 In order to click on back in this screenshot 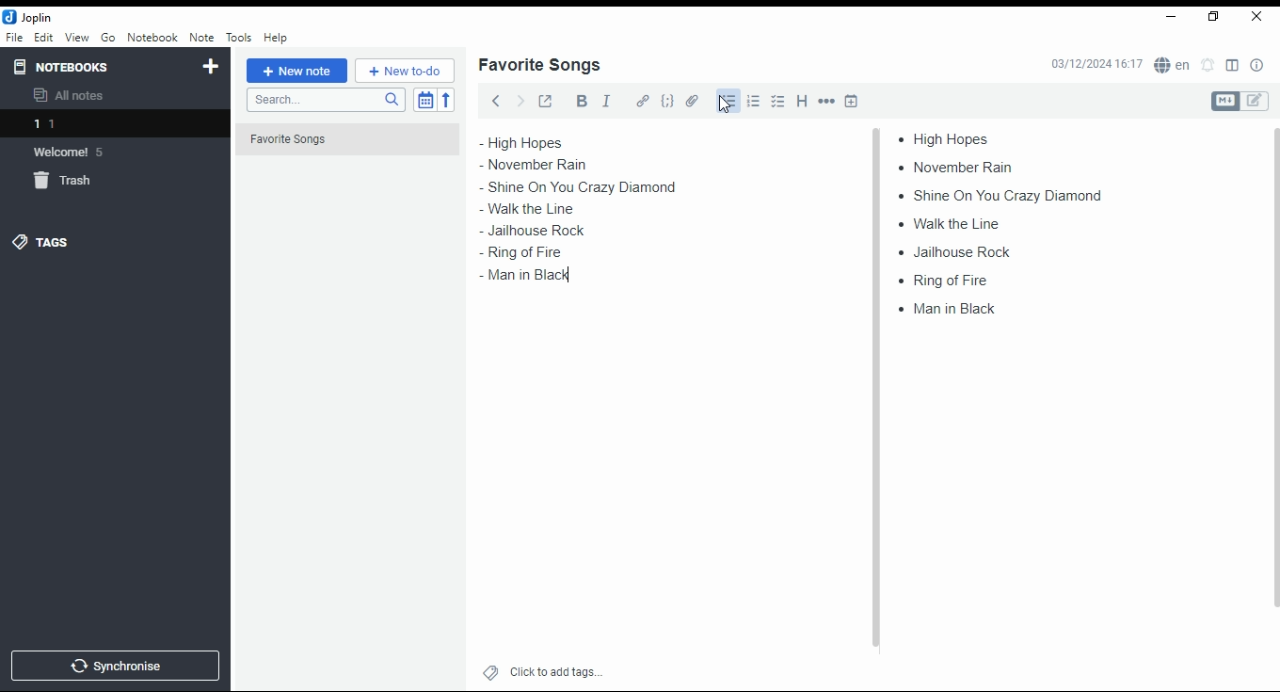, I will do `click(496, 100)`.